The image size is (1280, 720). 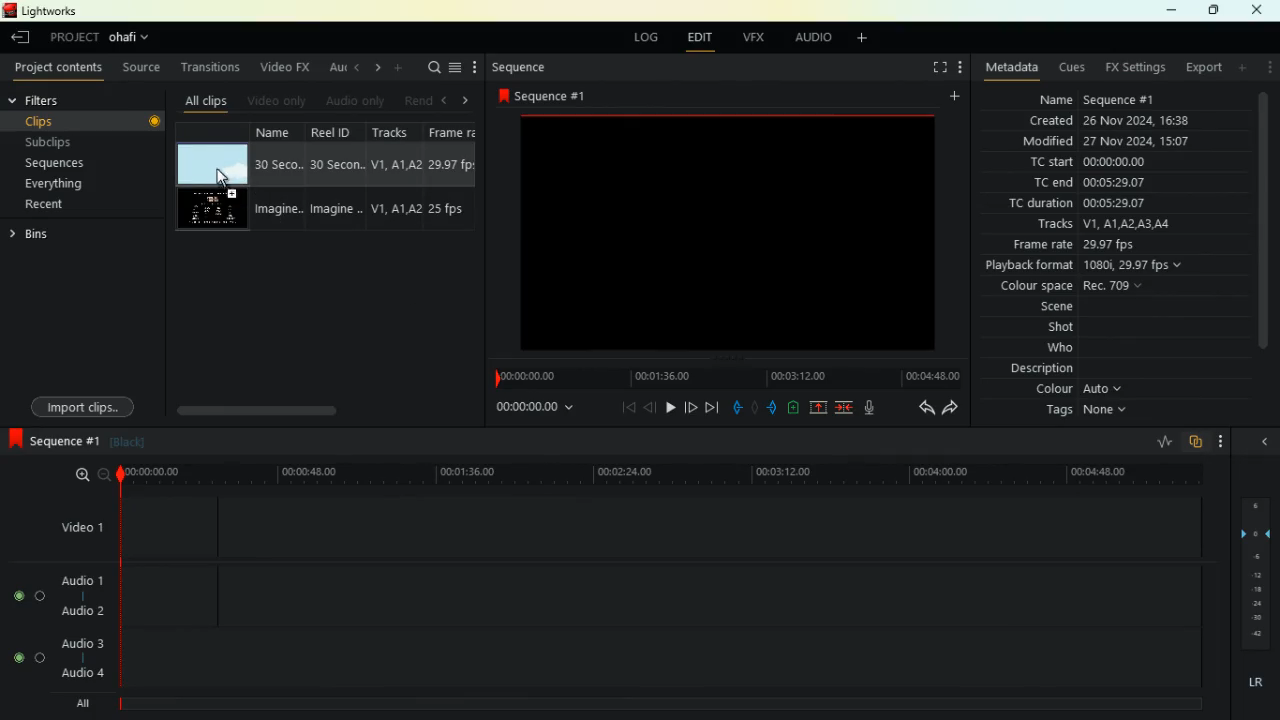 What do you see at coordinates (39, 236) in the screenshot?
I see `bins` at bounding box center [39, 236].